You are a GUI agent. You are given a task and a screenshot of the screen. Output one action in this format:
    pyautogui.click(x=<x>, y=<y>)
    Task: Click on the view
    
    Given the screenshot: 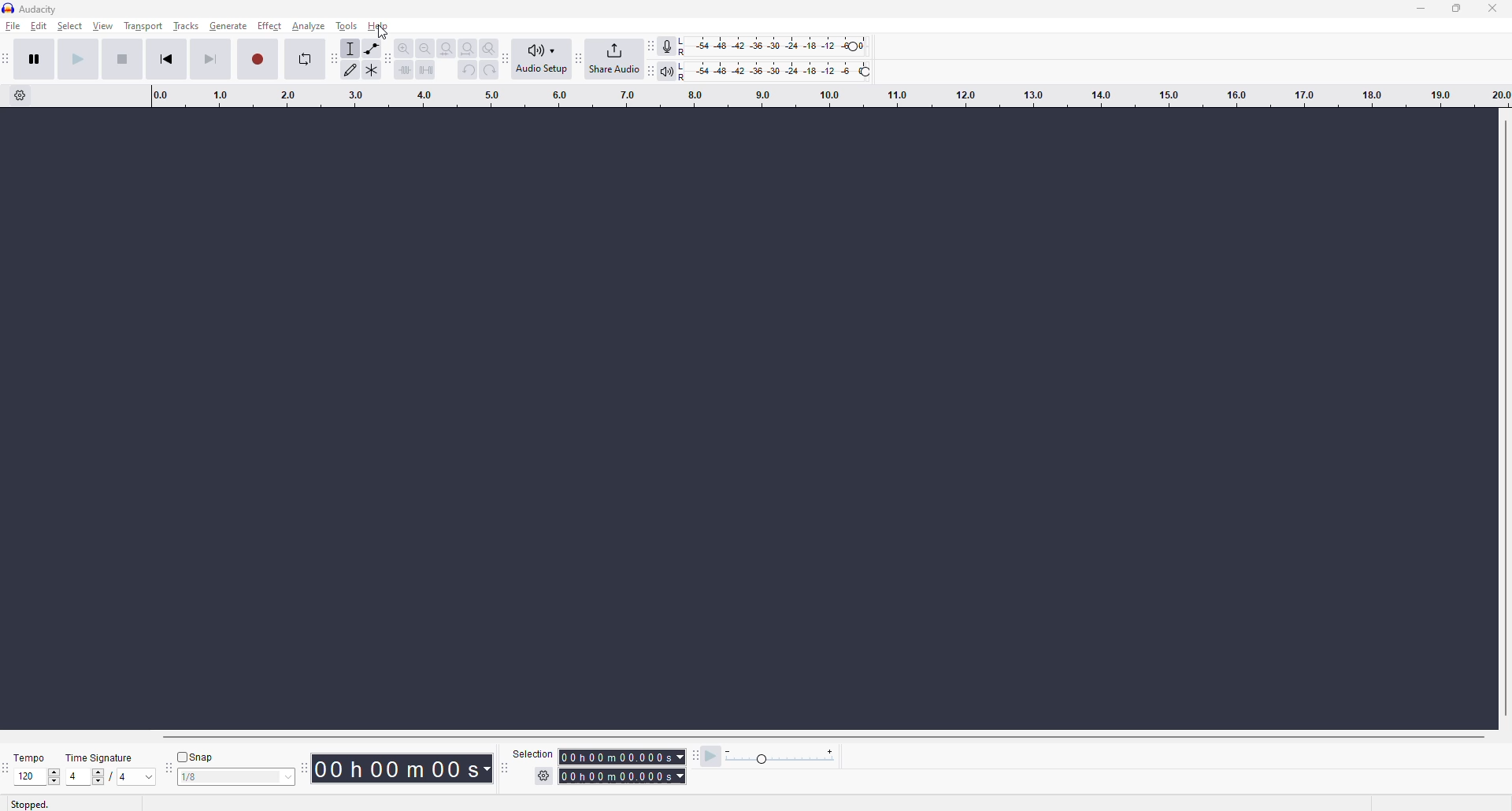 What is the action you would take?
    pyautogui.click(x=106, y=30)
    